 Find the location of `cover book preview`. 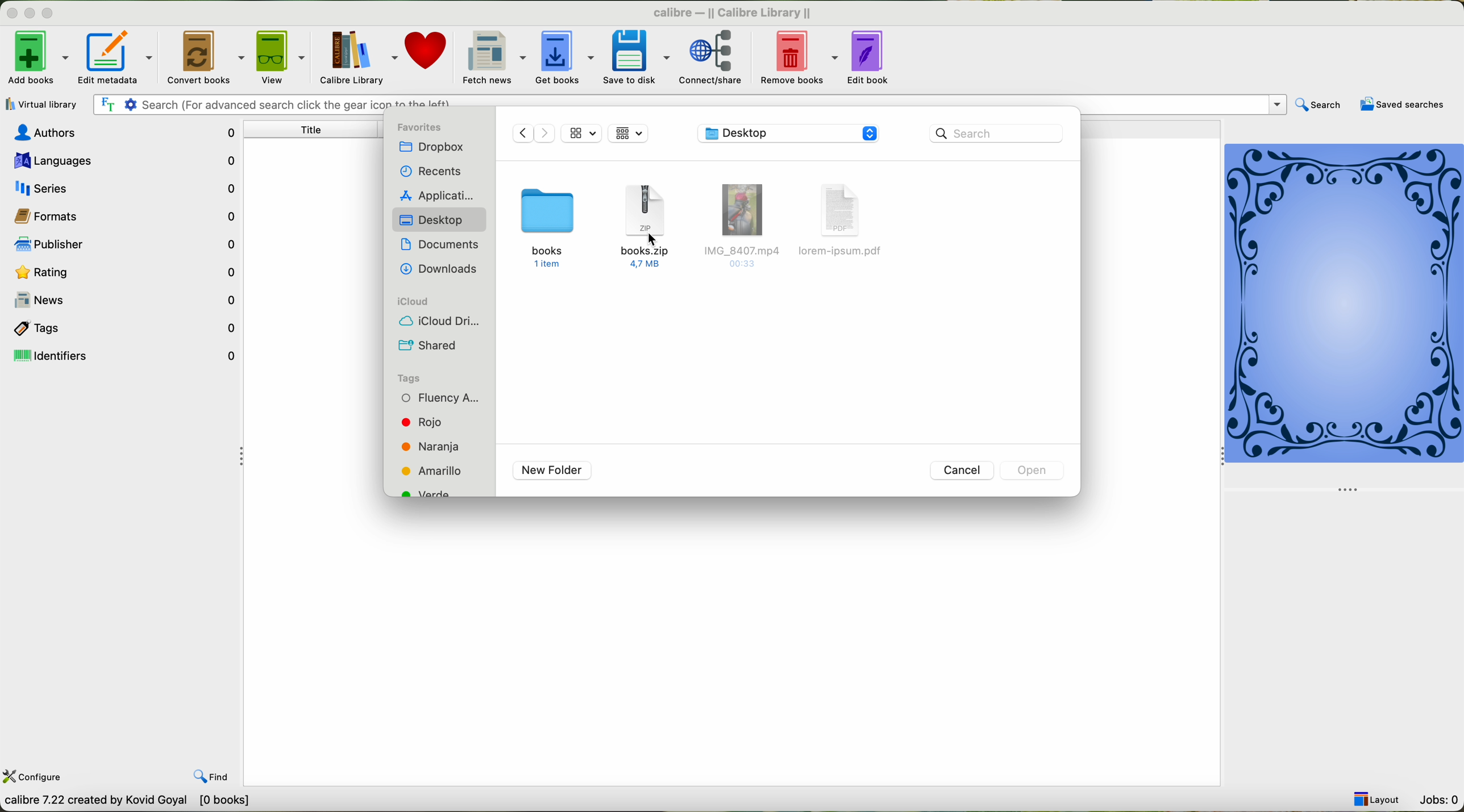

cover book preview is located at coordinates (1345, 315).